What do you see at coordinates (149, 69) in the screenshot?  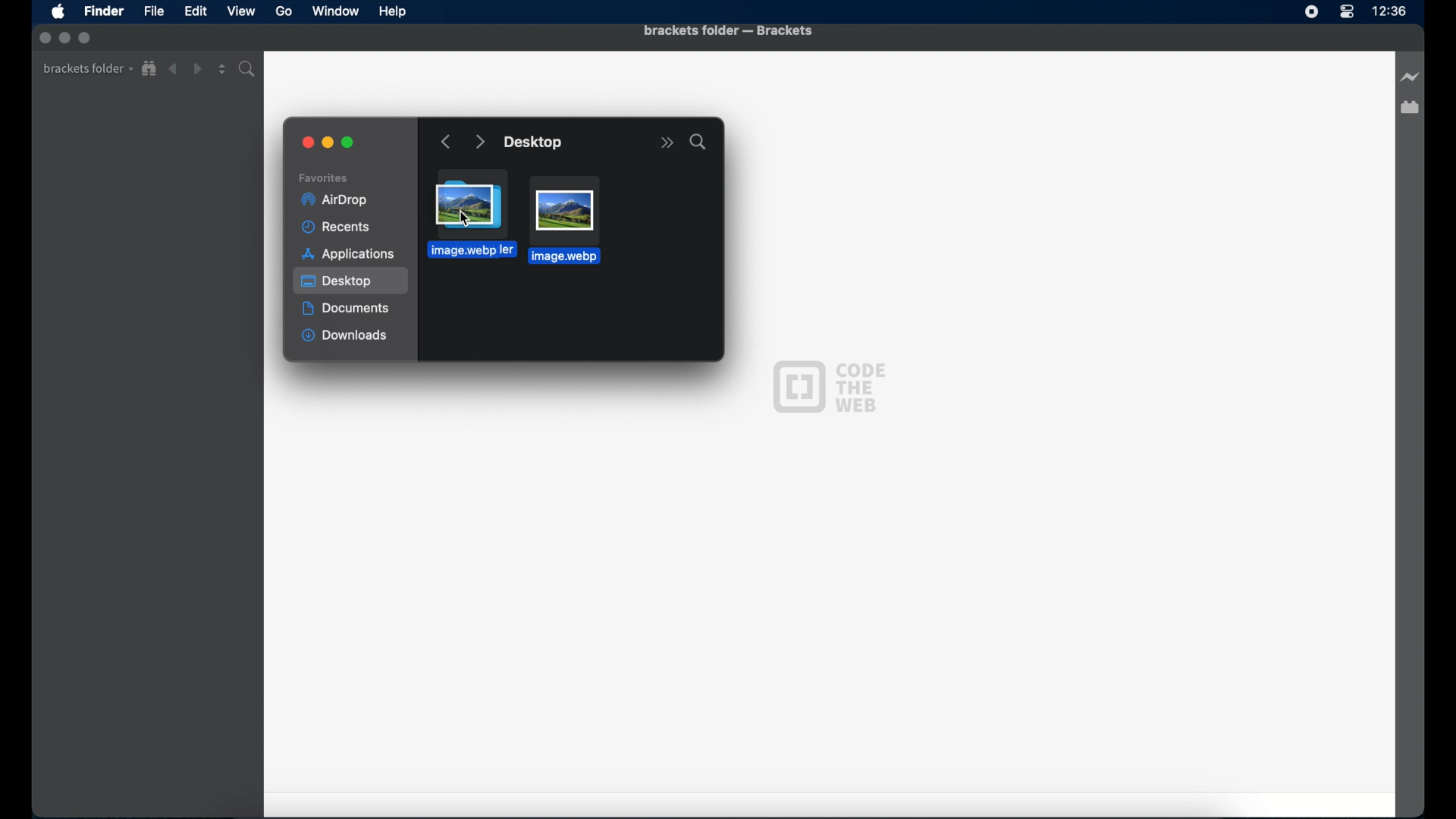 I see `show in file tree` at bounding box center [149, 69].